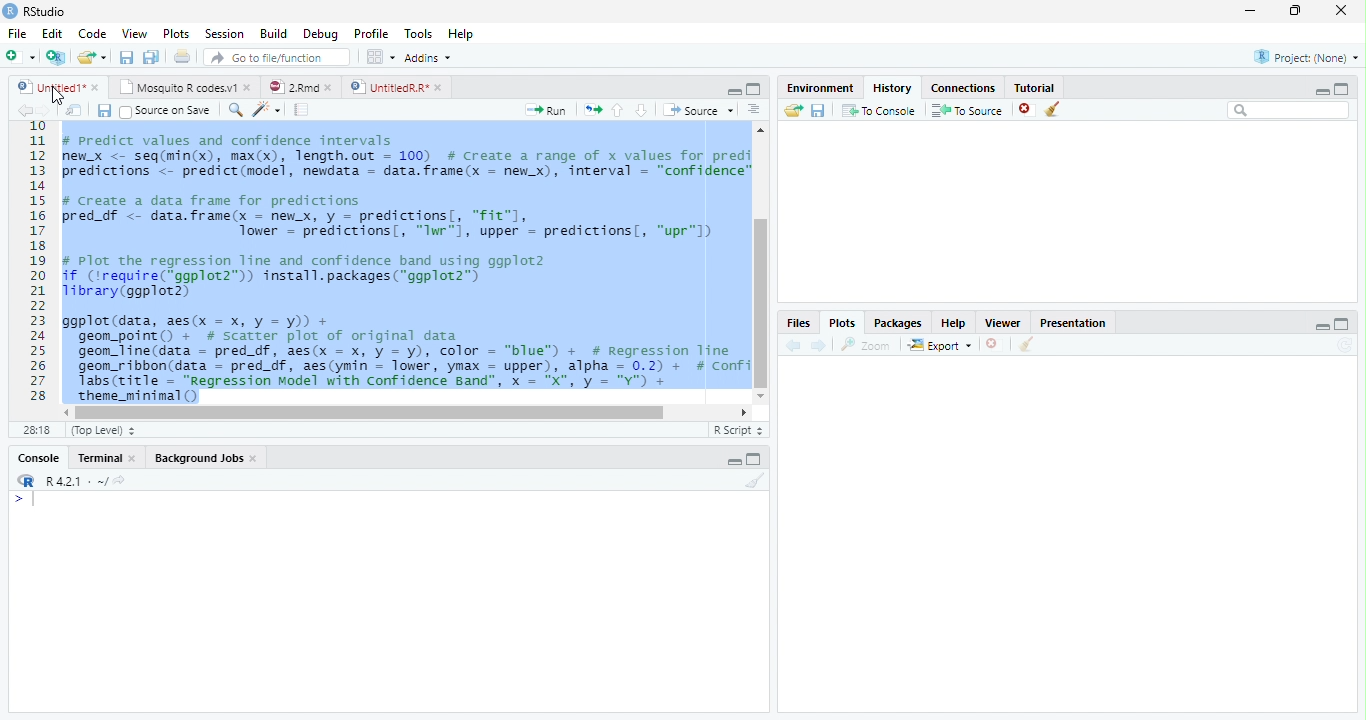  I want to click on Plots, so click(844, 322).